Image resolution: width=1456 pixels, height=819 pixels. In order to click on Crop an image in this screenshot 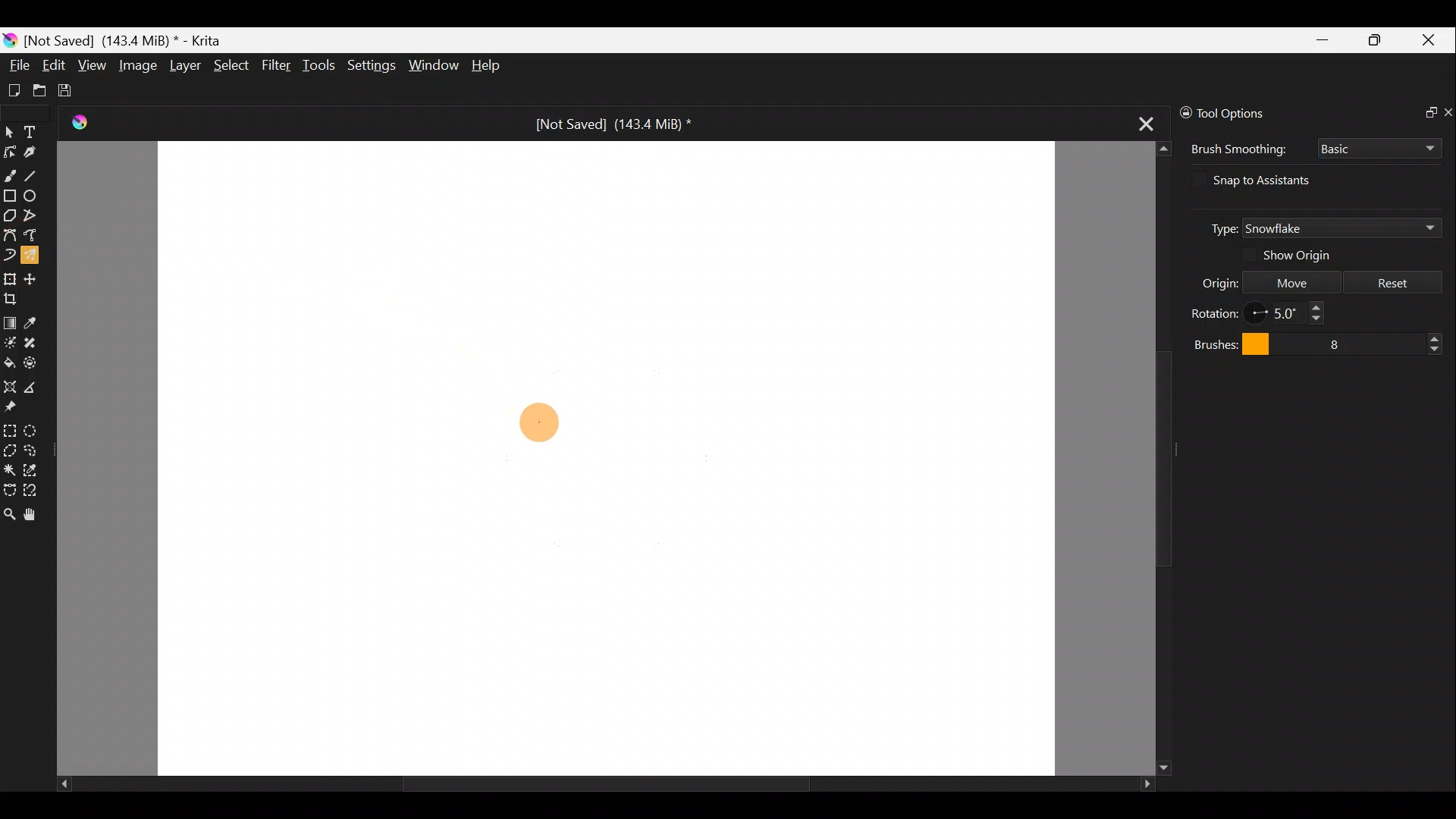, I will do `click(15, 297)`.